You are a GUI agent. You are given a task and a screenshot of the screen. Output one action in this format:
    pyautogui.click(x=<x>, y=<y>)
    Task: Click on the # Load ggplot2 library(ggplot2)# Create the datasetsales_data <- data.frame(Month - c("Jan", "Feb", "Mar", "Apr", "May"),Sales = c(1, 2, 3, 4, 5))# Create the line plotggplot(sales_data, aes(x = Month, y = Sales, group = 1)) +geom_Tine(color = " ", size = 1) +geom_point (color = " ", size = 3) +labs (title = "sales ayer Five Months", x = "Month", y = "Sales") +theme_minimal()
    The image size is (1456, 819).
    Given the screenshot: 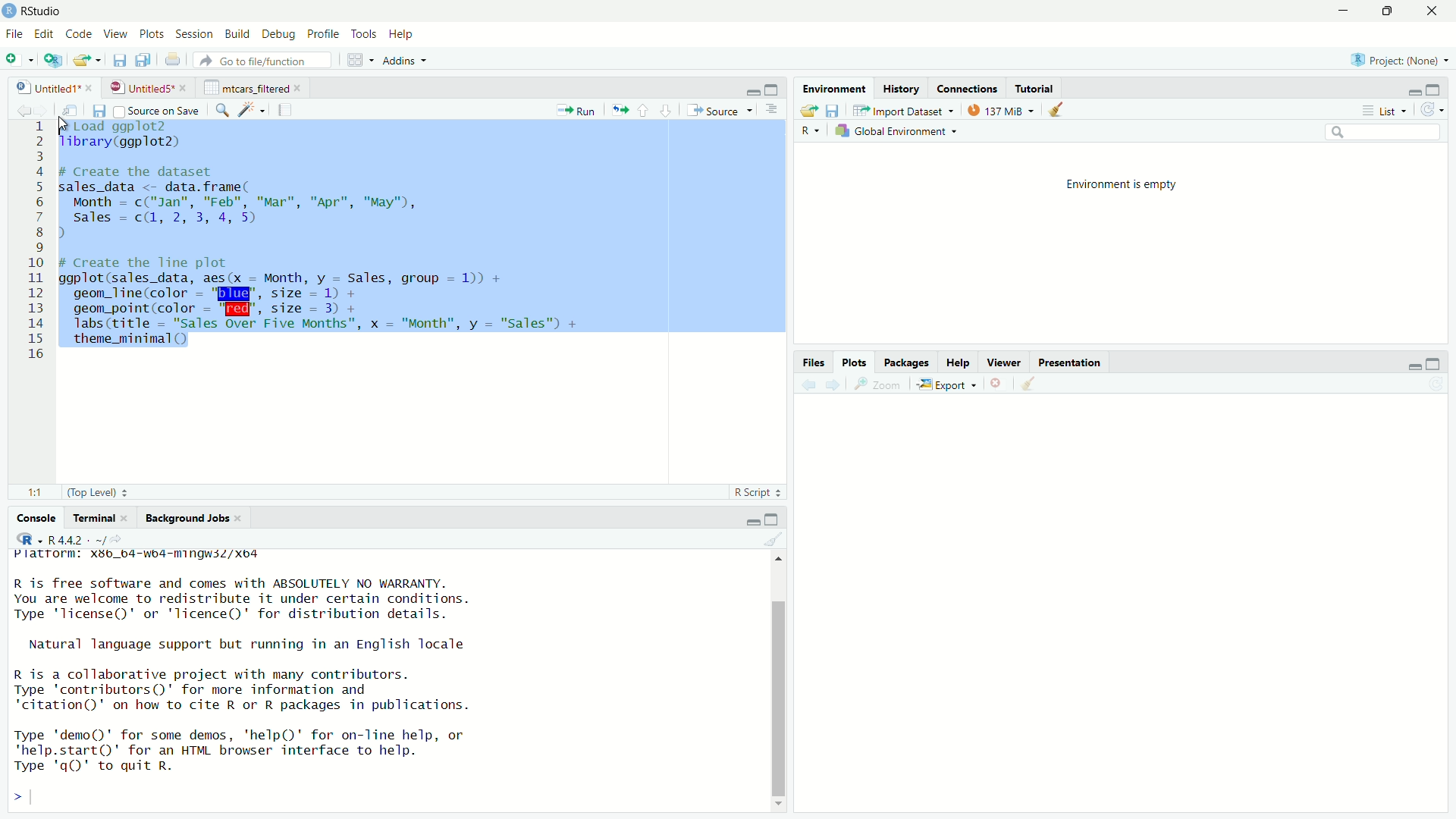 What is the action you would take?
    pyautogui.click(x=327, y=239)
    